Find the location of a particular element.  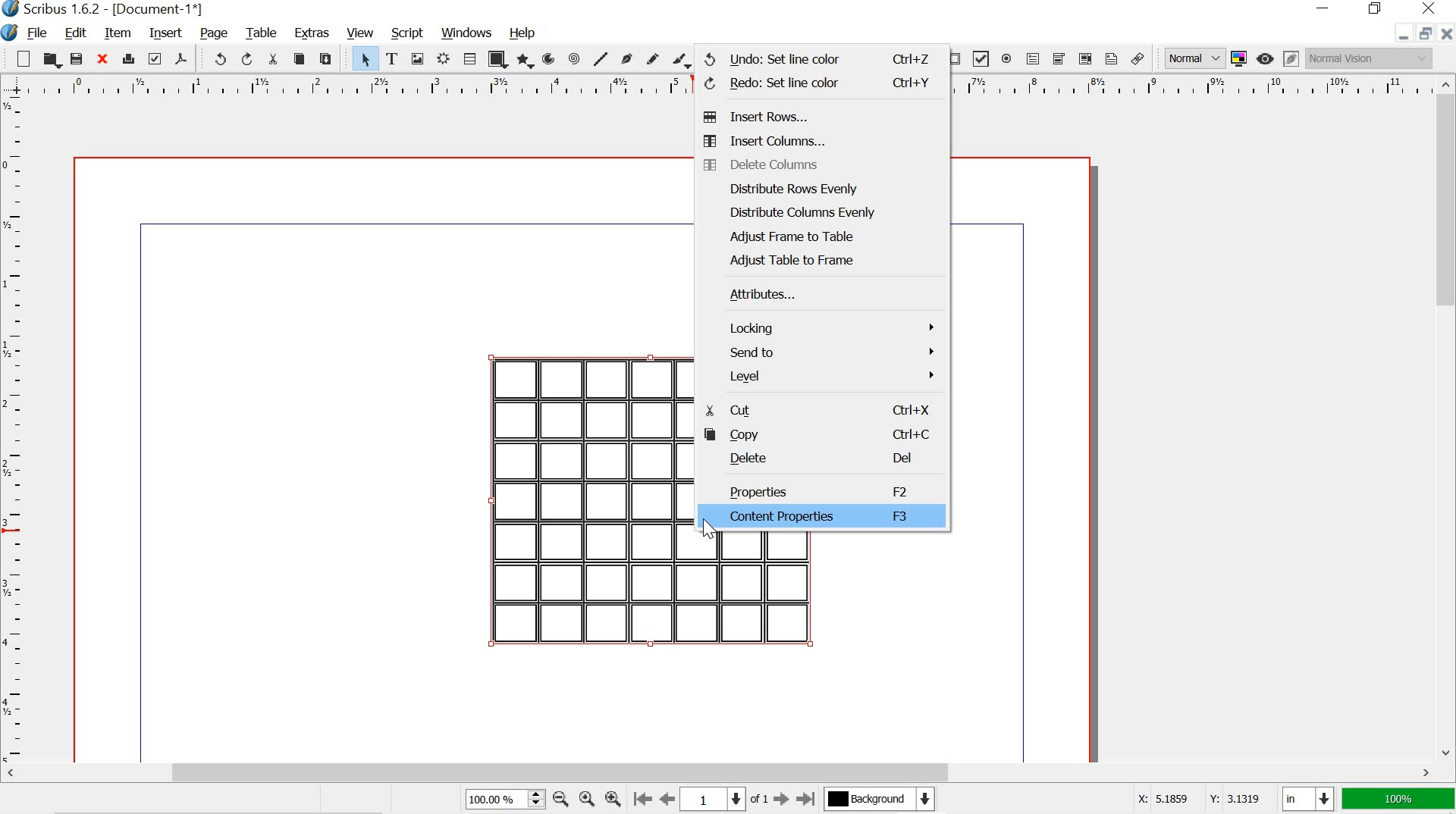

insert columns... is located at coordinates (824, 142).